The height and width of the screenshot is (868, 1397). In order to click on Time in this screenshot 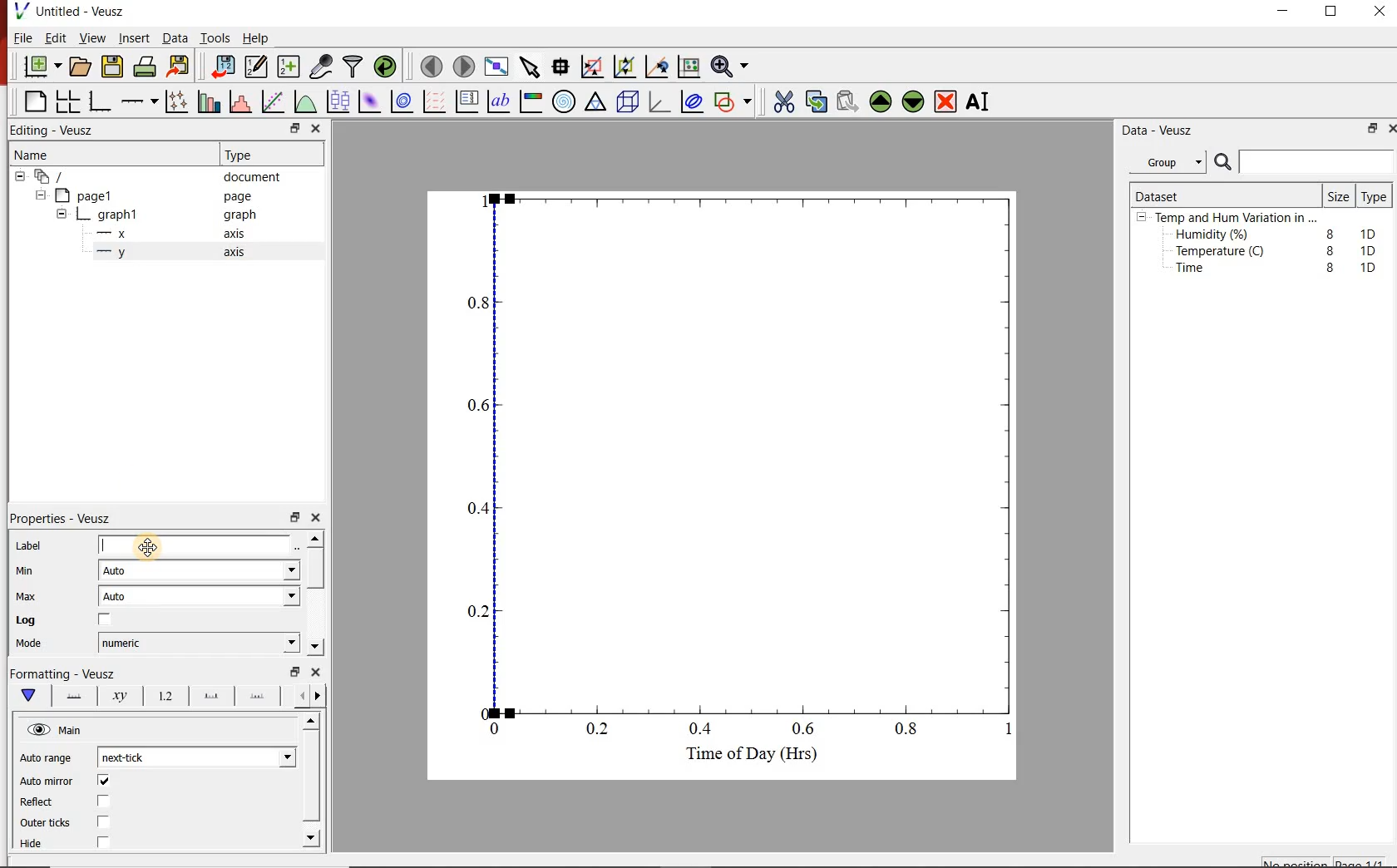, I will do `click(1199, 272)`.